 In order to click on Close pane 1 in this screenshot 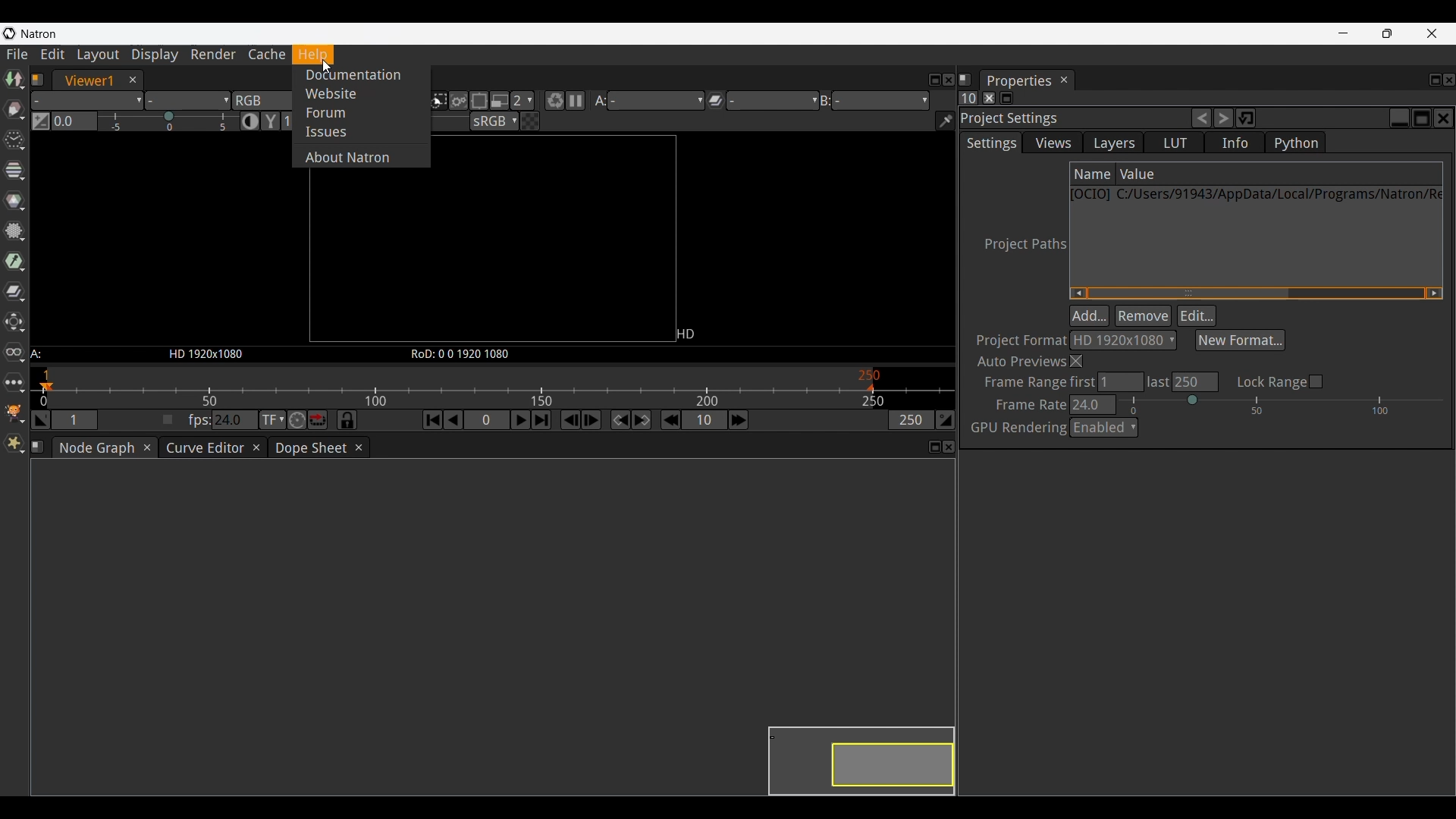, I will do `click(948, 80)`.